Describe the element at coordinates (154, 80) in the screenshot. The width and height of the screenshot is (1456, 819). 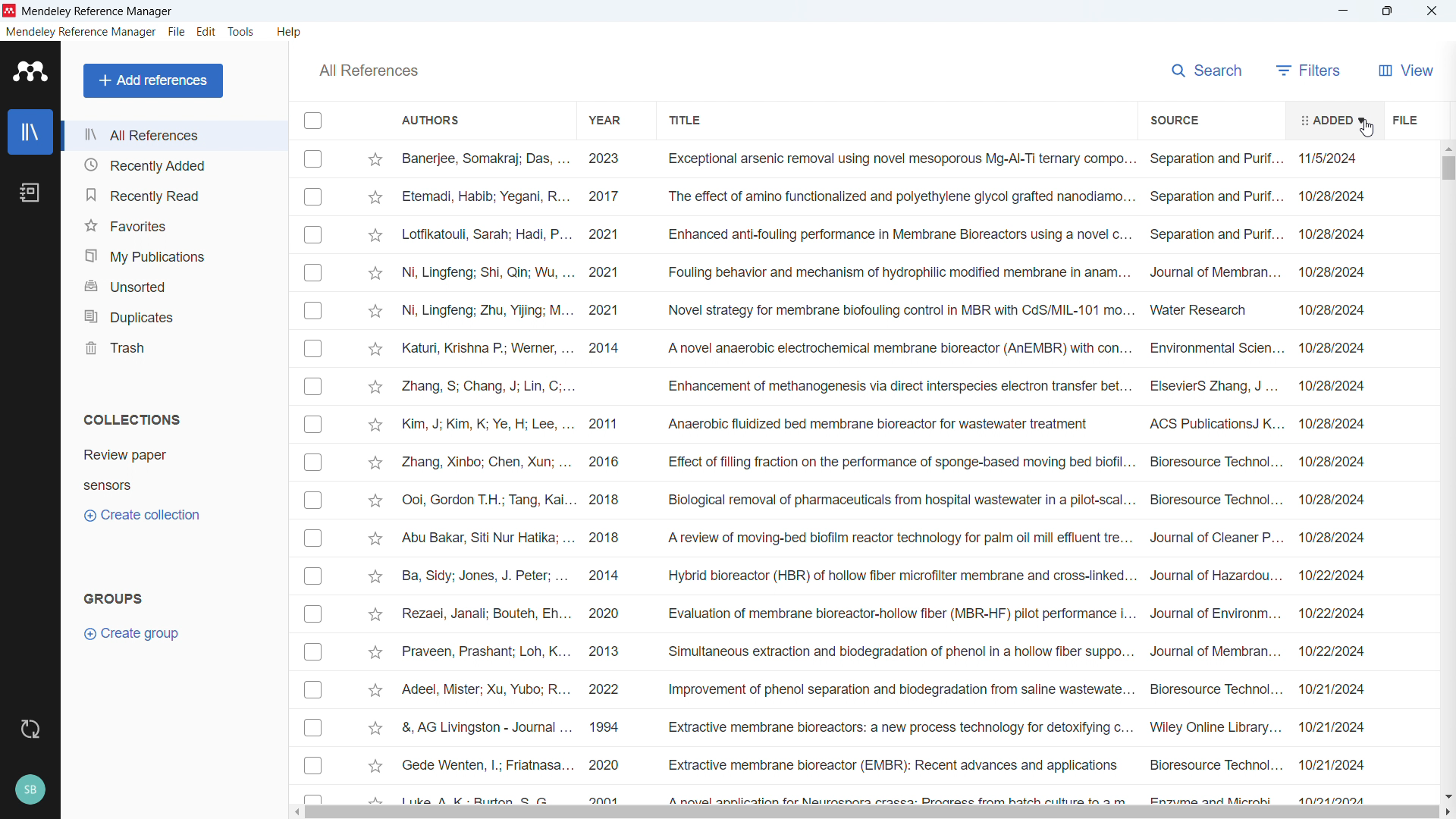
I see `Add references ` at that location.